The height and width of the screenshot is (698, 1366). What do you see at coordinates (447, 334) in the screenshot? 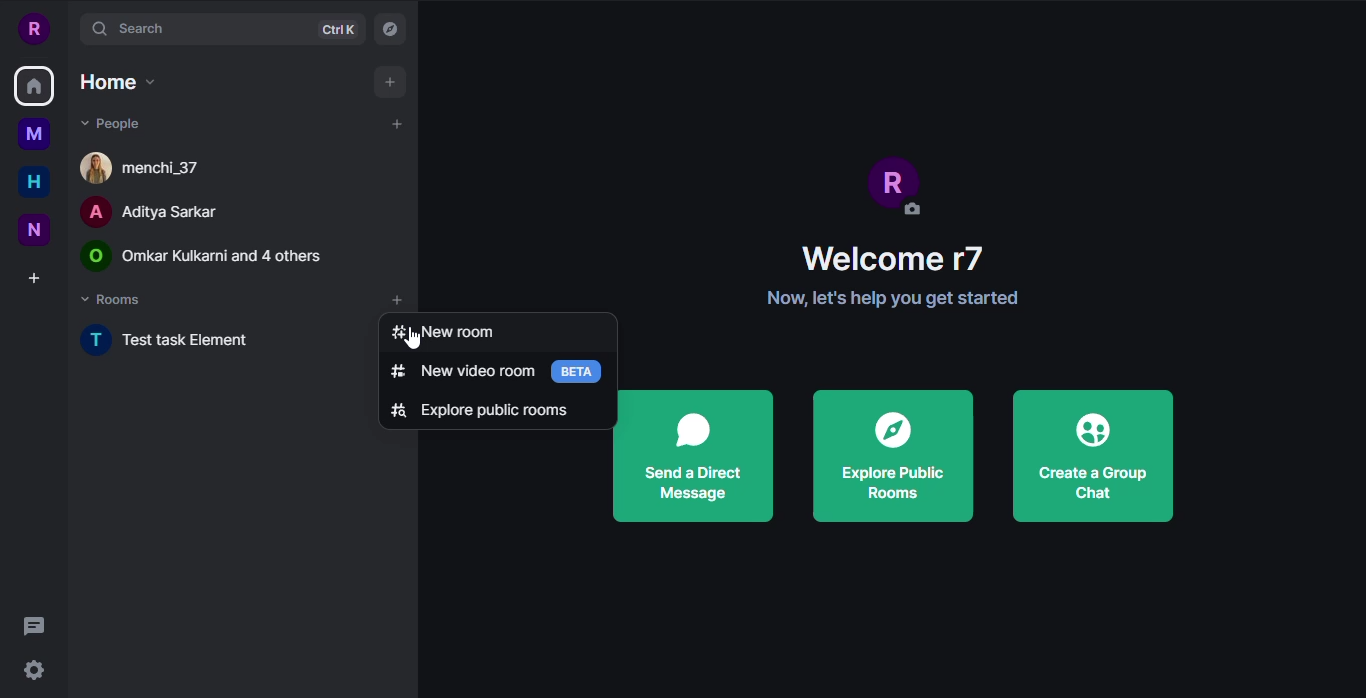
I see `Cursor on new room` at bounding box center [447, 334].